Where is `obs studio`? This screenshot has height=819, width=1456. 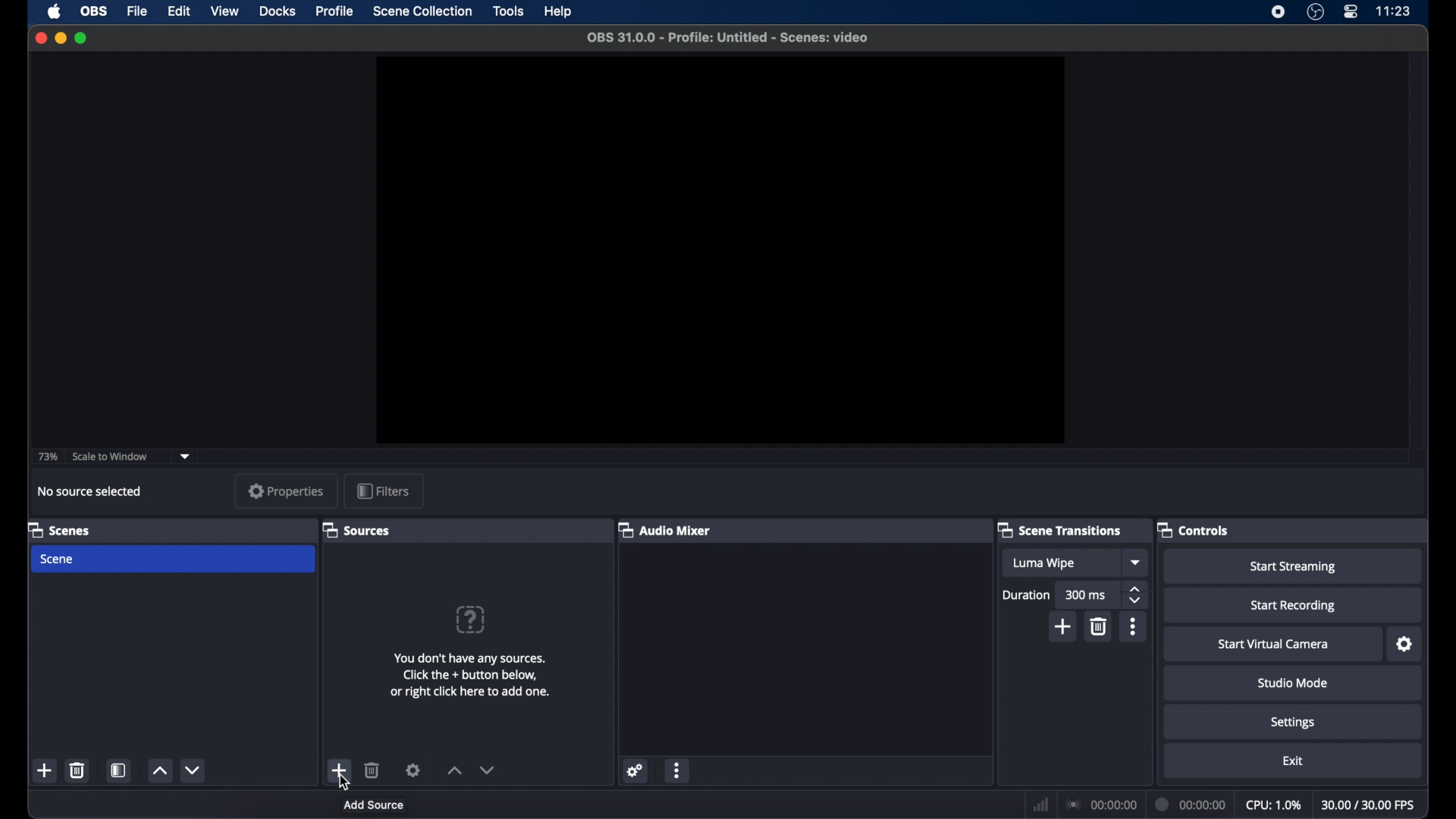 obs studio is located at coordinates (1315, 12).